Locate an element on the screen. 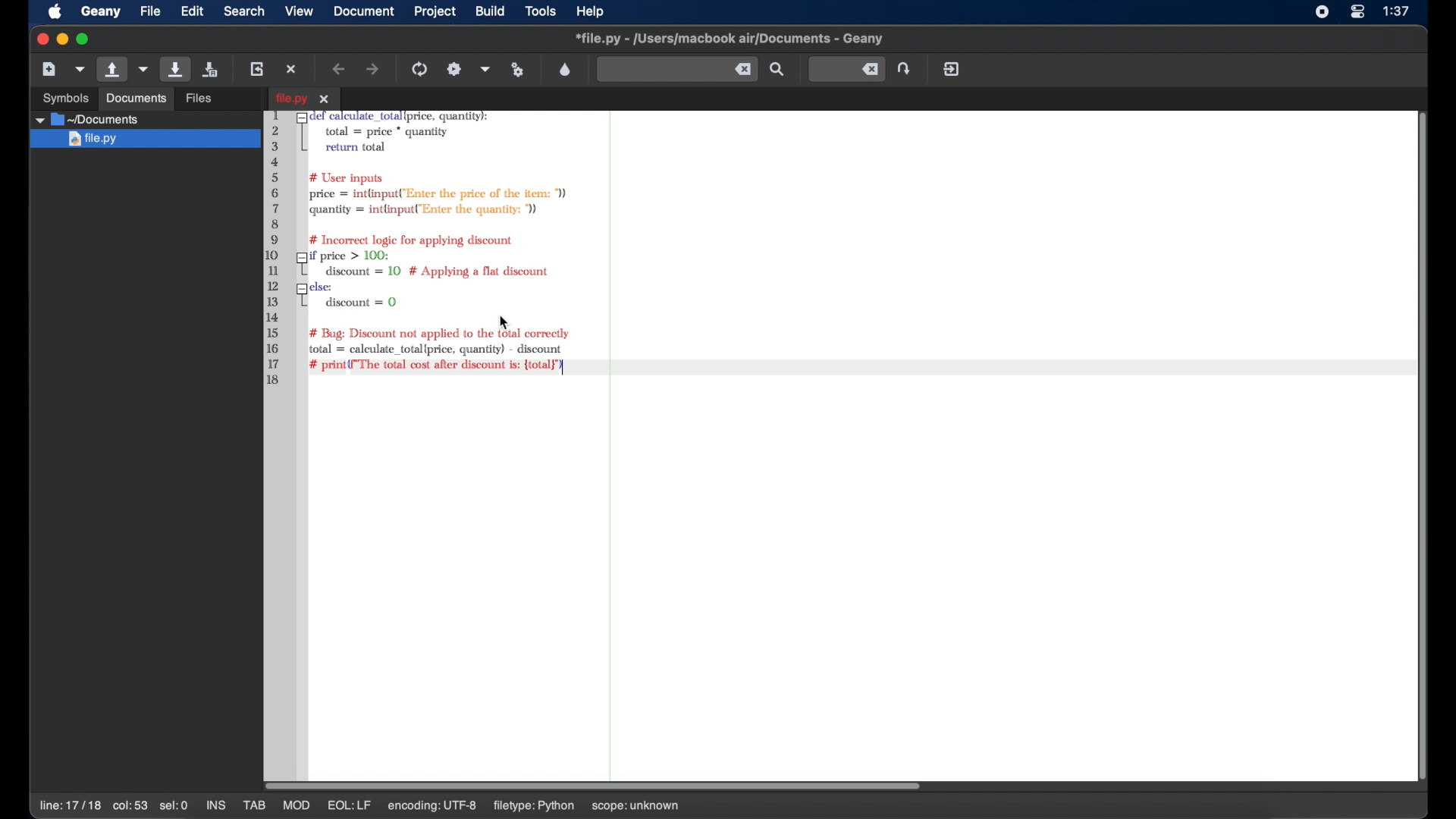  tab is located at coordinates (255, 805).